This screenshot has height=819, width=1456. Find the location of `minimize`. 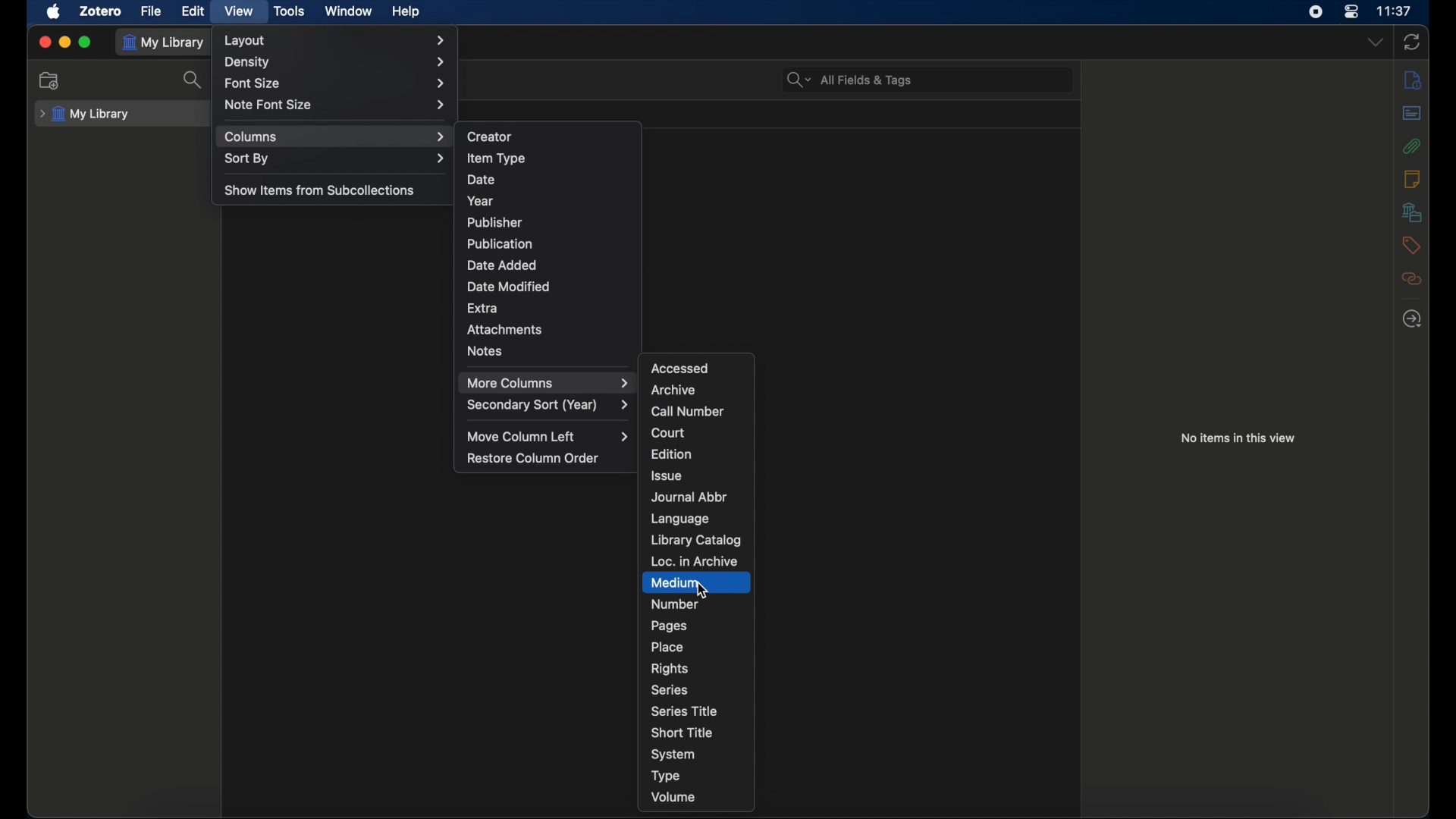

minimize is located at coordinates (65, 42).